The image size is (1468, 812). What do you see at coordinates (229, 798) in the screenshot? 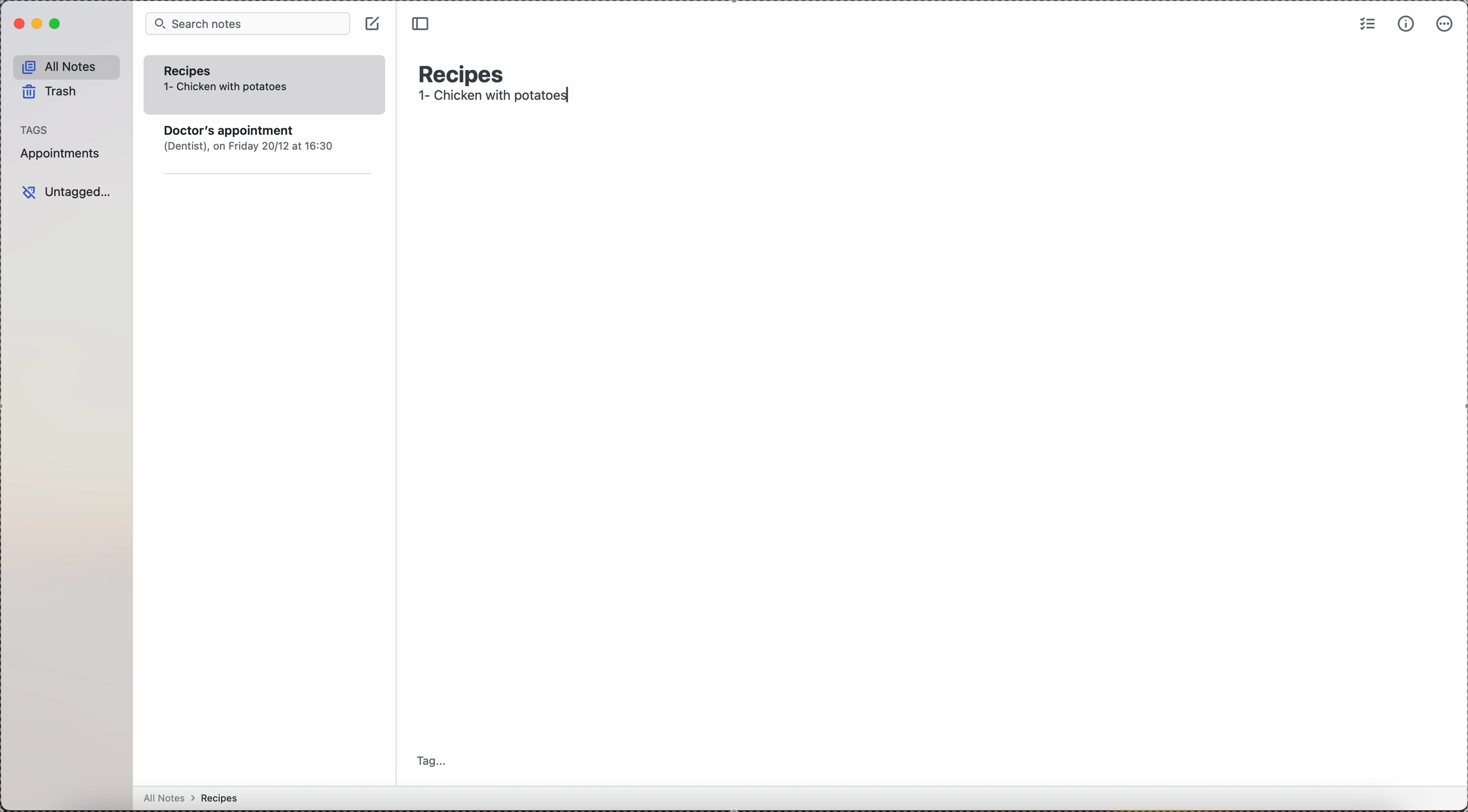
I see `all notes` at bounding box center [229, 798].